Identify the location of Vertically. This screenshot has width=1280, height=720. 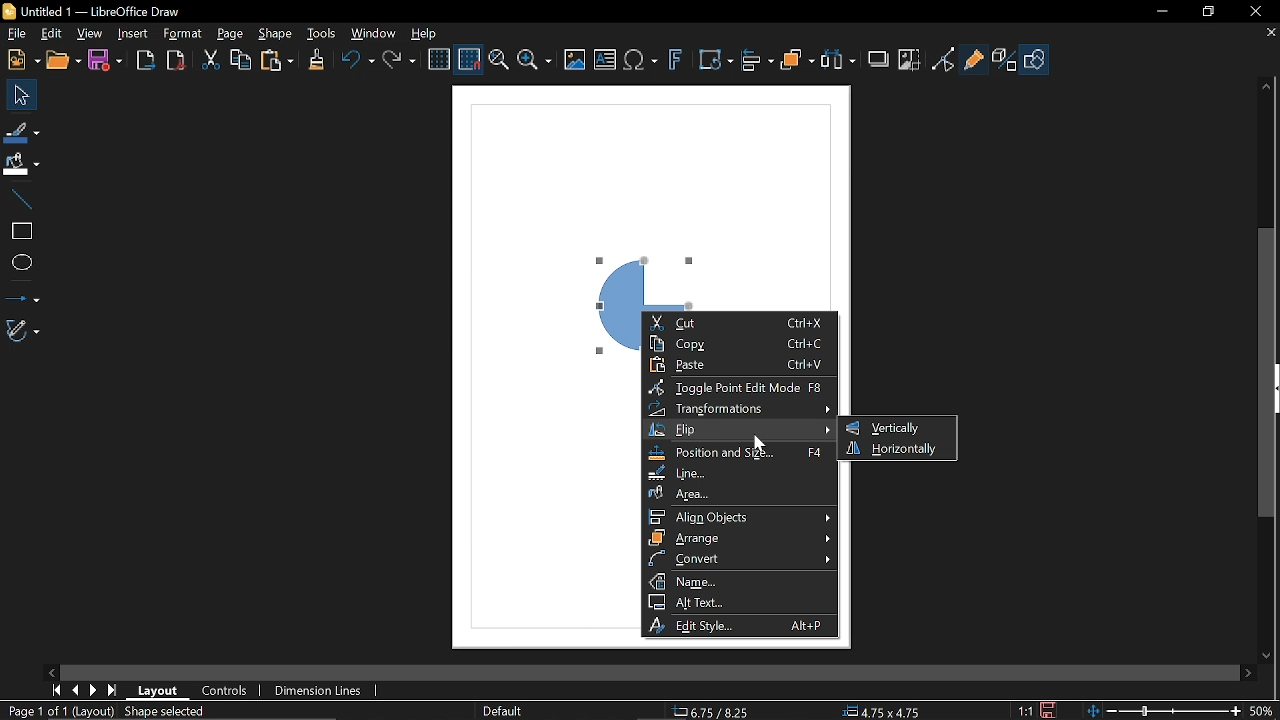
(886, 427).